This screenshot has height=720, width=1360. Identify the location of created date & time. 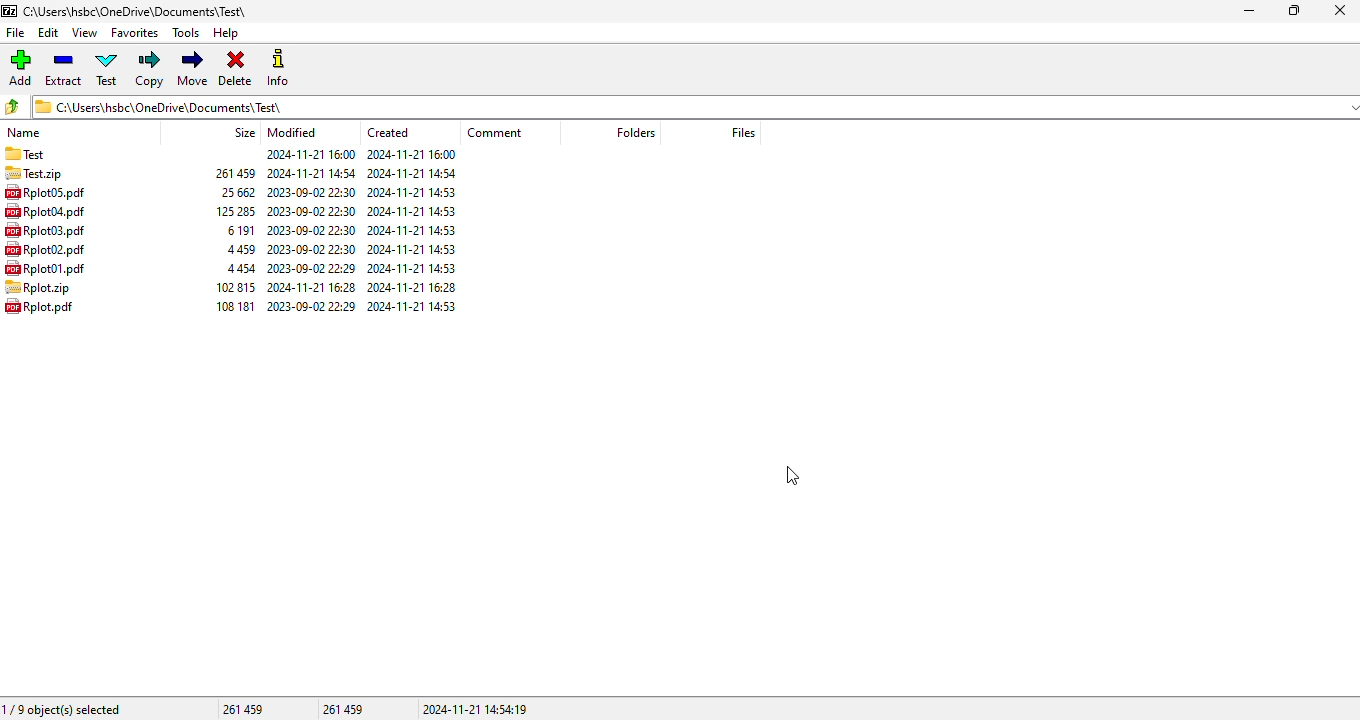
(413, 211).